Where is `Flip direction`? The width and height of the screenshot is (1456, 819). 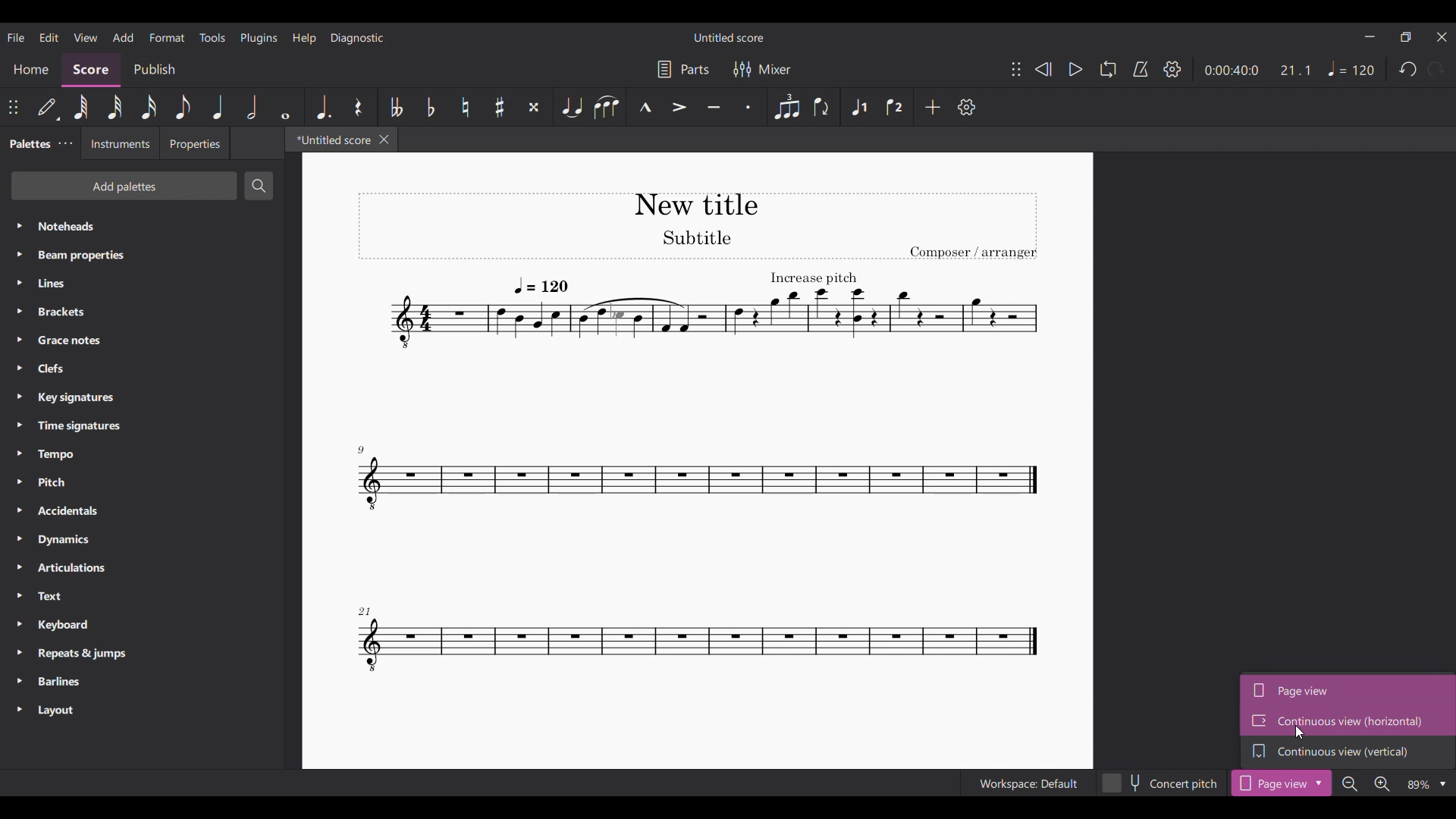 Flip direction is located at coordinates (824, 107).